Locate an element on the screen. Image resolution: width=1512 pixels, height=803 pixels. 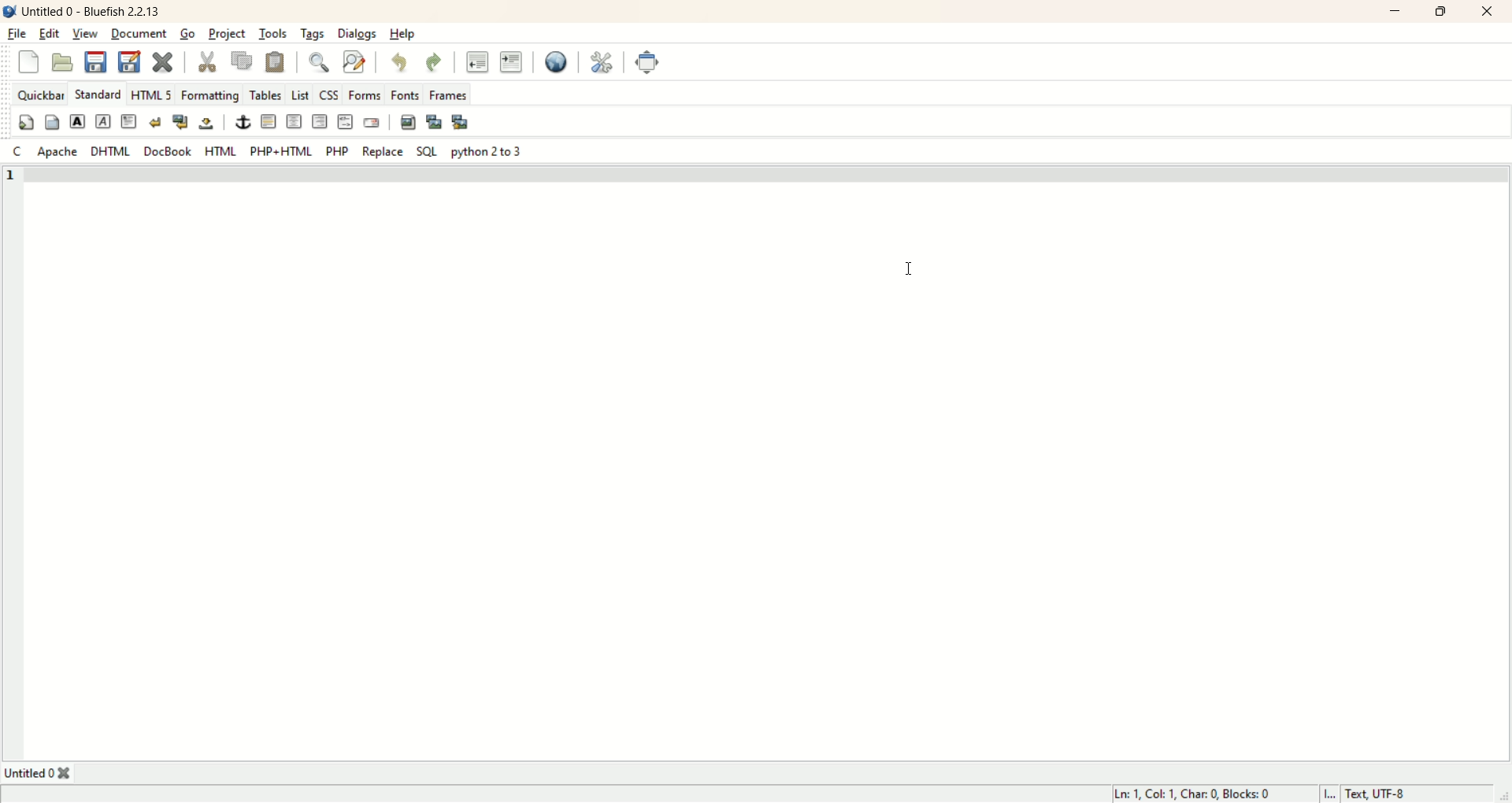
List is located at coordinates (298, 94).